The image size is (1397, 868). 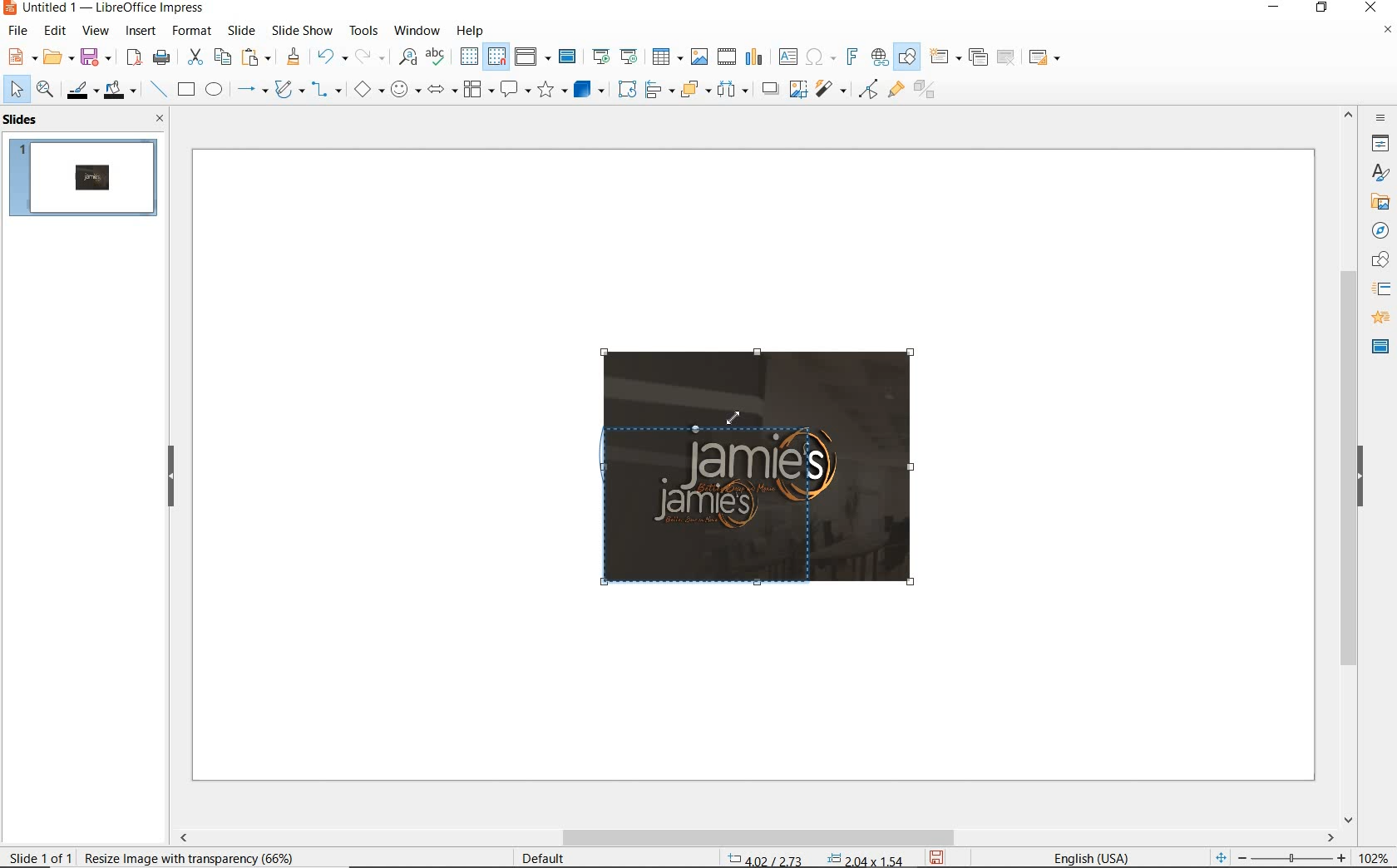 I want to click on display views, so click(x=533, y=58).